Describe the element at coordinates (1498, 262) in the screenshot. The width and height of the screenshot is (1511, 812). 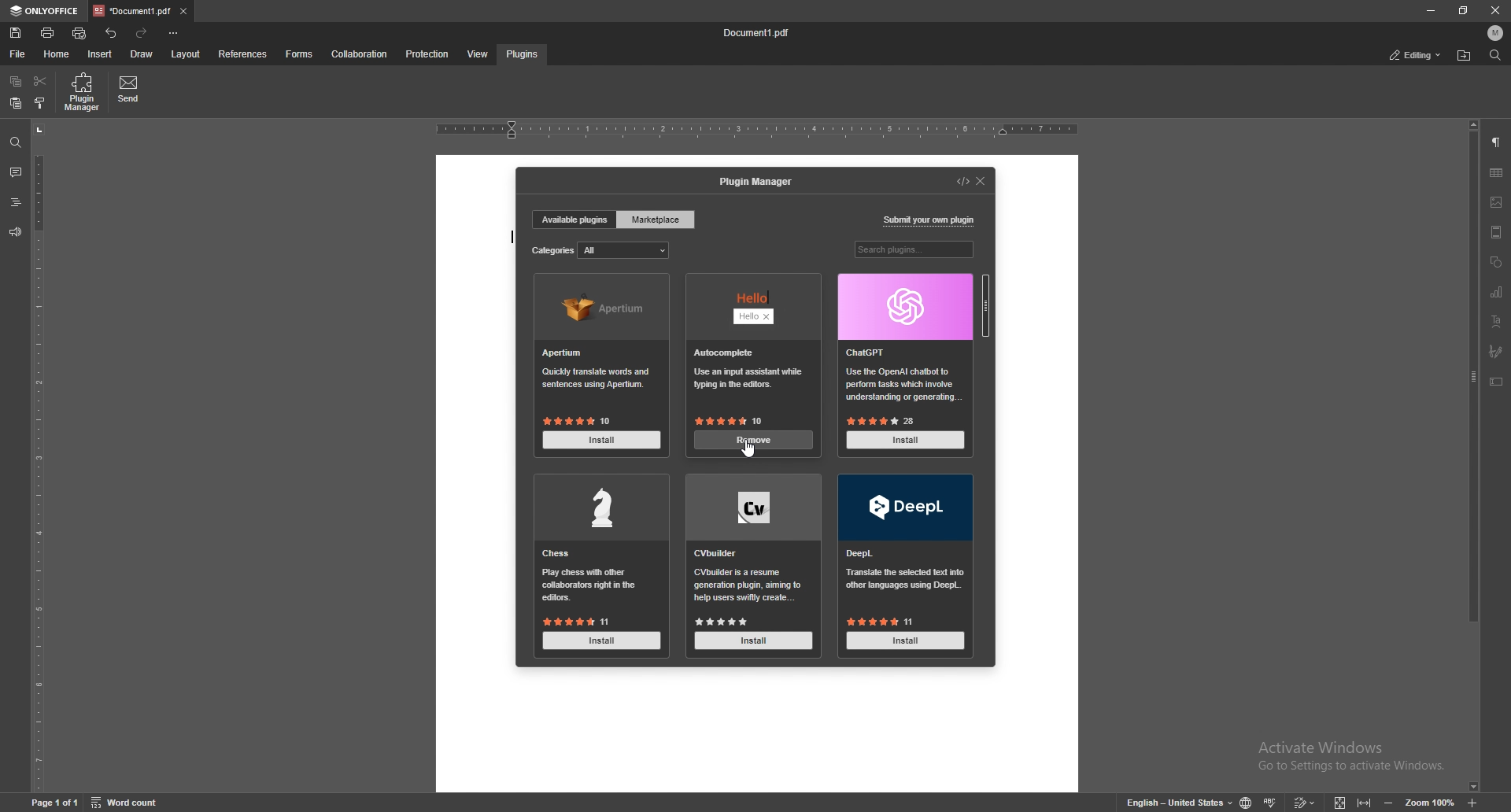
I see `shapes` at that location.